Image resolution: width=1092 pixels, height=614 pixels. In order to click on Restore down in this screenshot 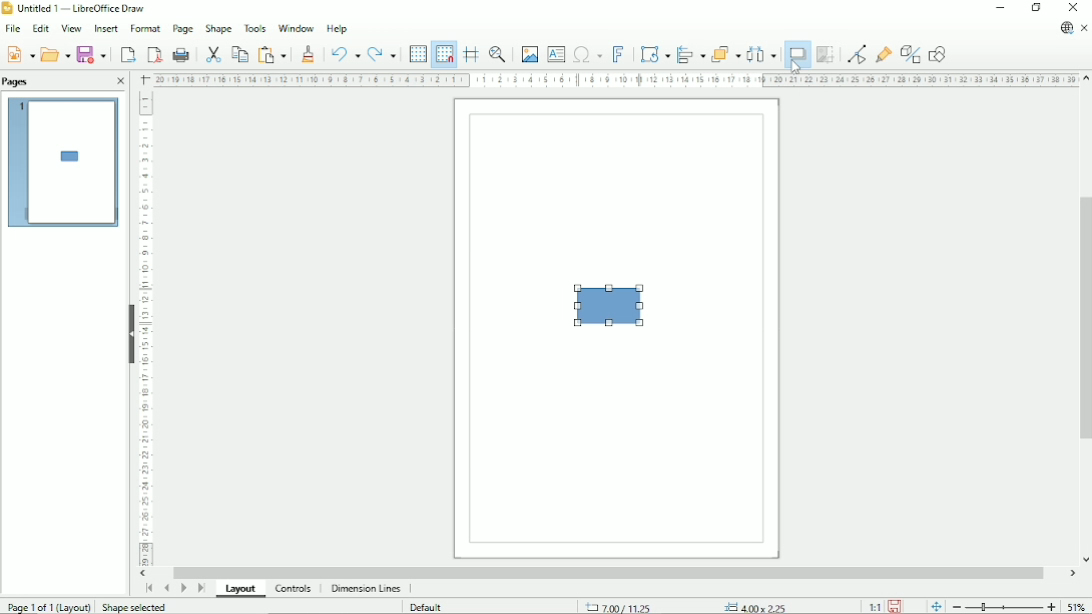, I will do `click(1038, 8)`.